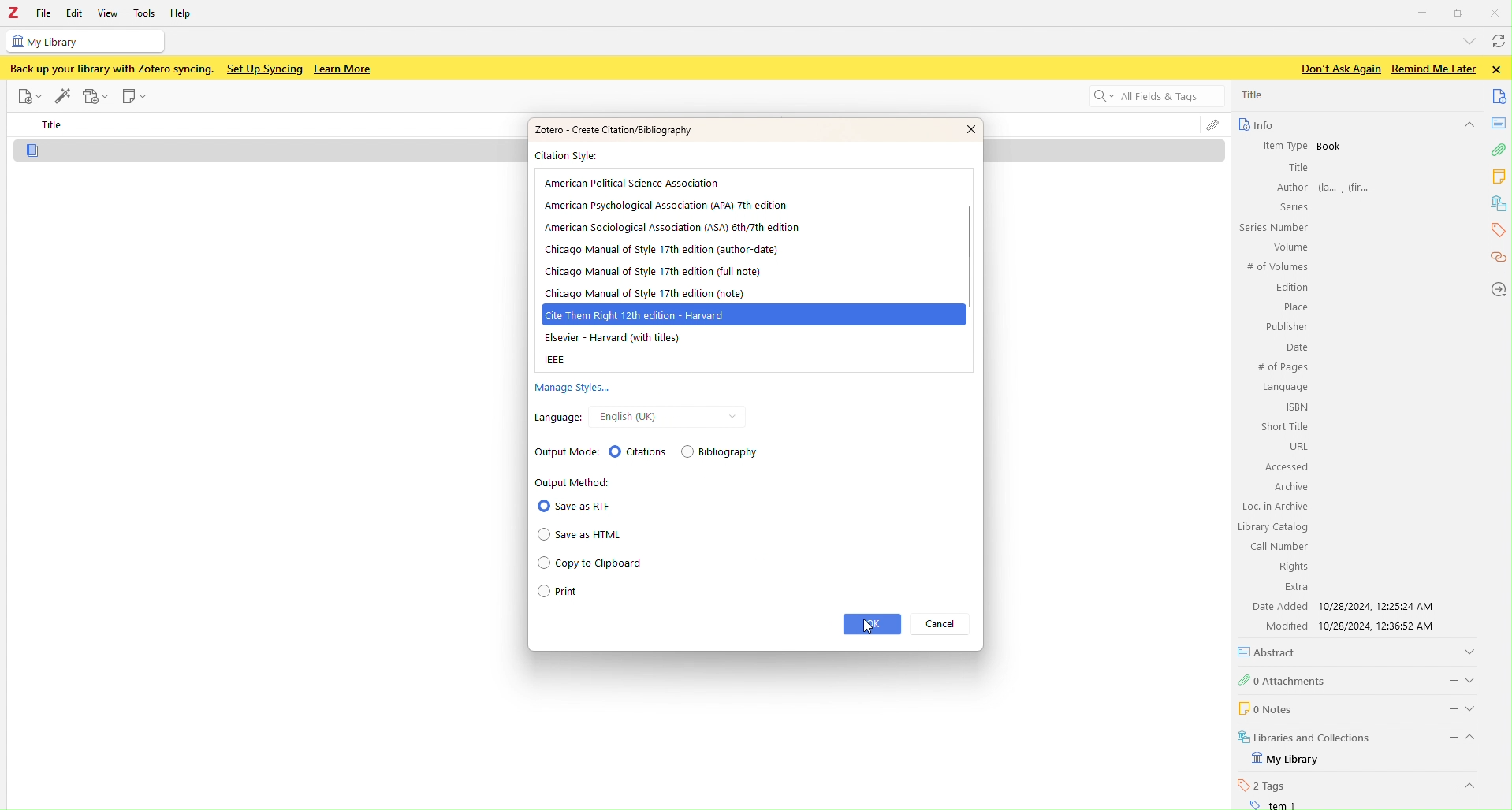 This screenshot has width=1512, height=810. Describe the element at coordinates (44, 13) in the screenshot. I see `FIle` at that location.